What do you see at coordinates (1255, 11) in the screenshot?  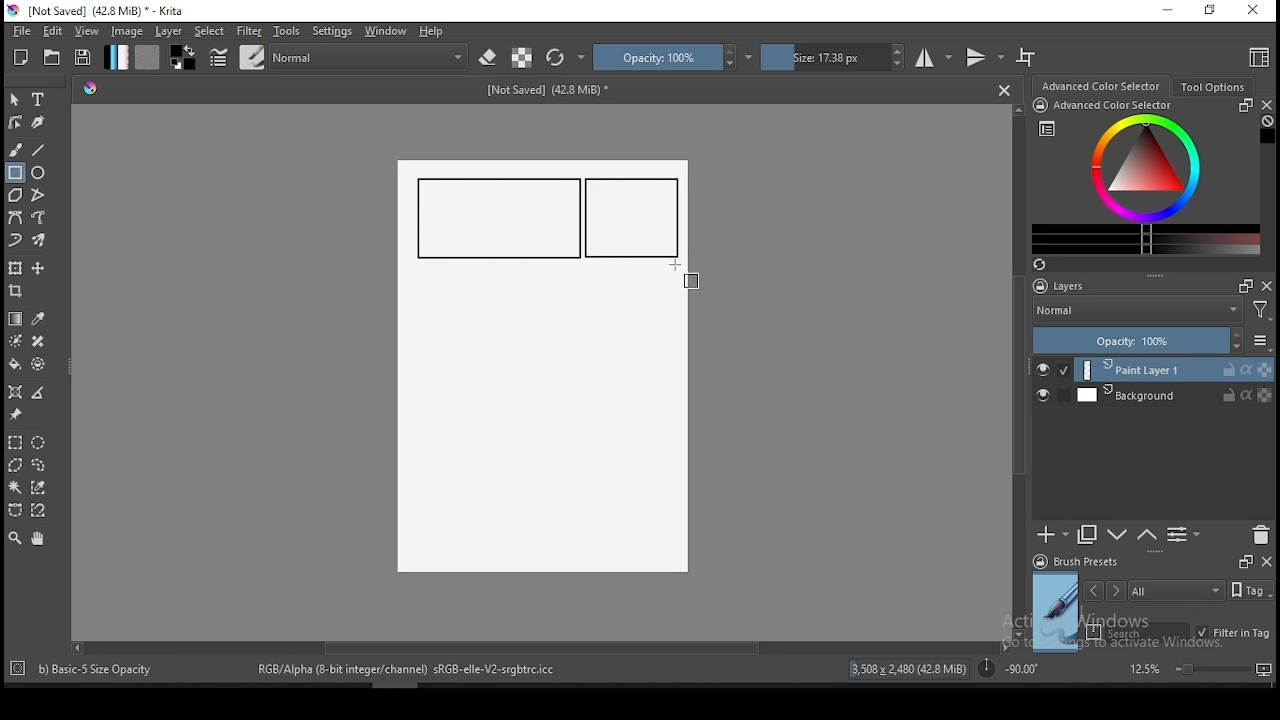 I see ` close window` at bounding box center [1255, 11].